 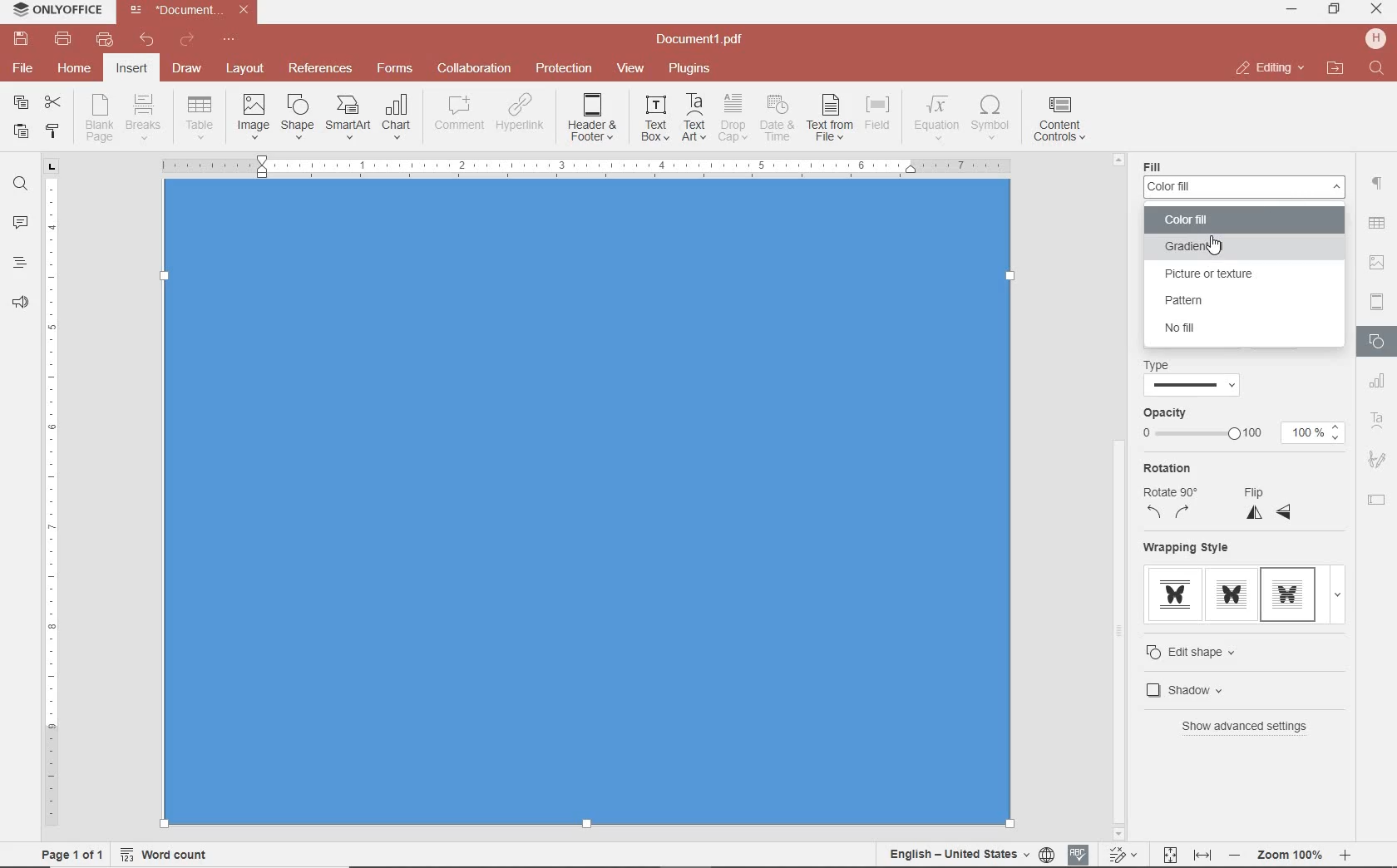 What do you see at coordinates (99, 117) in the screenshot?
I see `INSERT BLANK PAGE` at bounding box center [99, 117].